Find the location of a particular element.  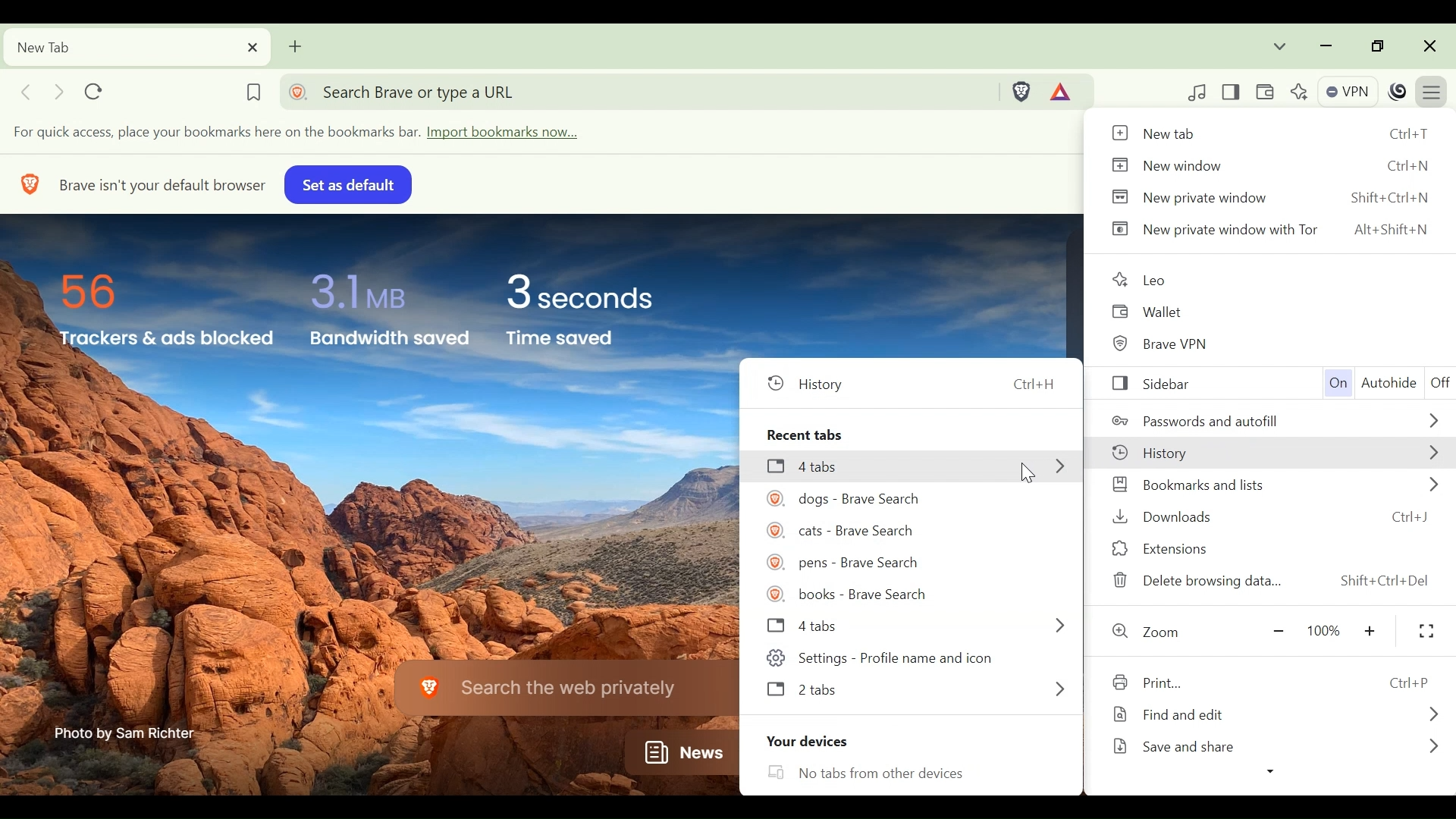

Downloads Ctrl+J is located at coordinates (1276, 515).